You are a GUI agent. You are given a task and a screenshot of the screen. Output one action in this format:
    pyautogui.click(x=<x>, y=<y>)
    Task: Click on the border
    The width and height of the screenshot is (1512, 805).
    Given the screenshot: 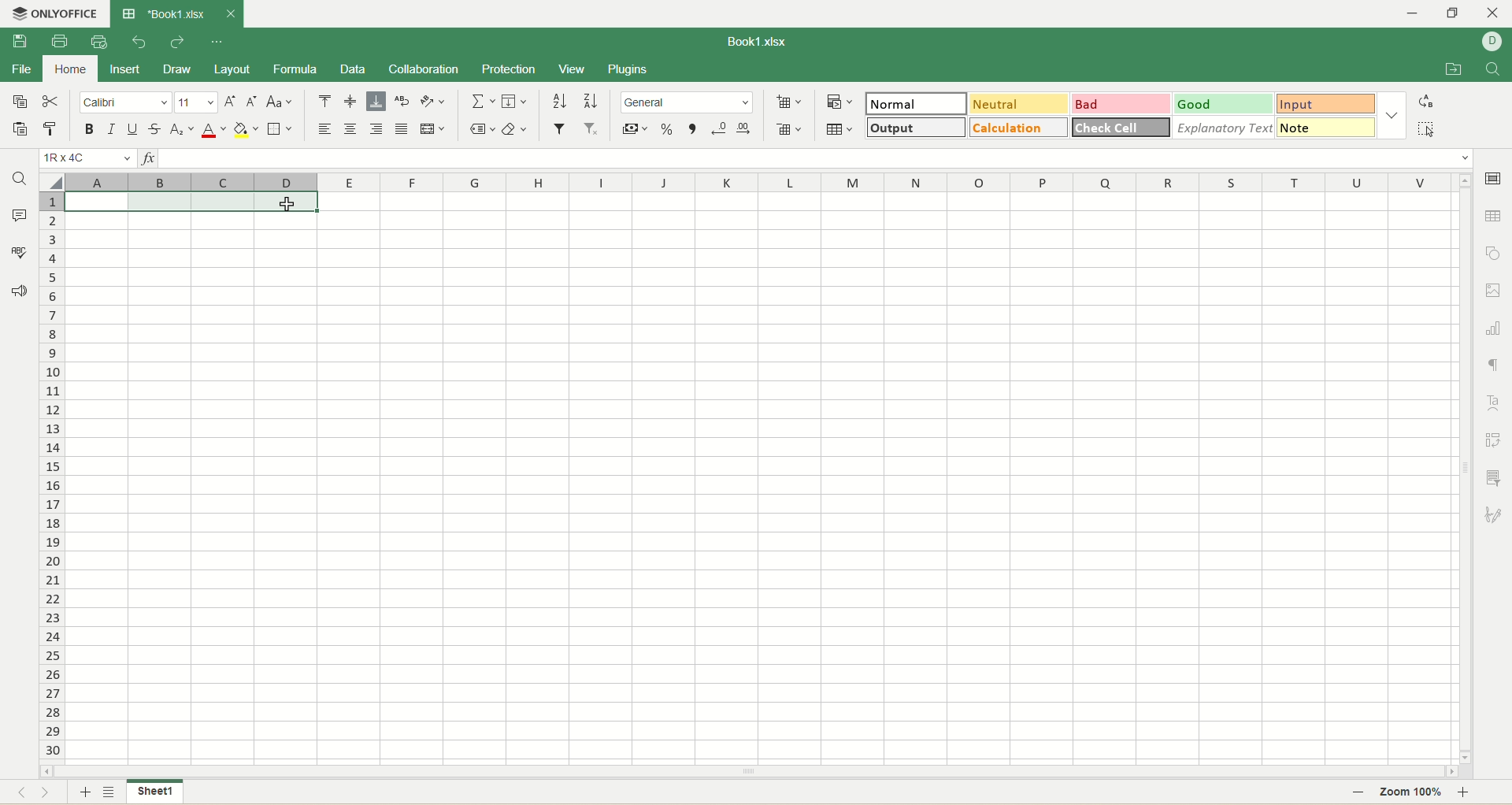 What is the action you would take?
    pyautogui.click(x=278, y=130)
    